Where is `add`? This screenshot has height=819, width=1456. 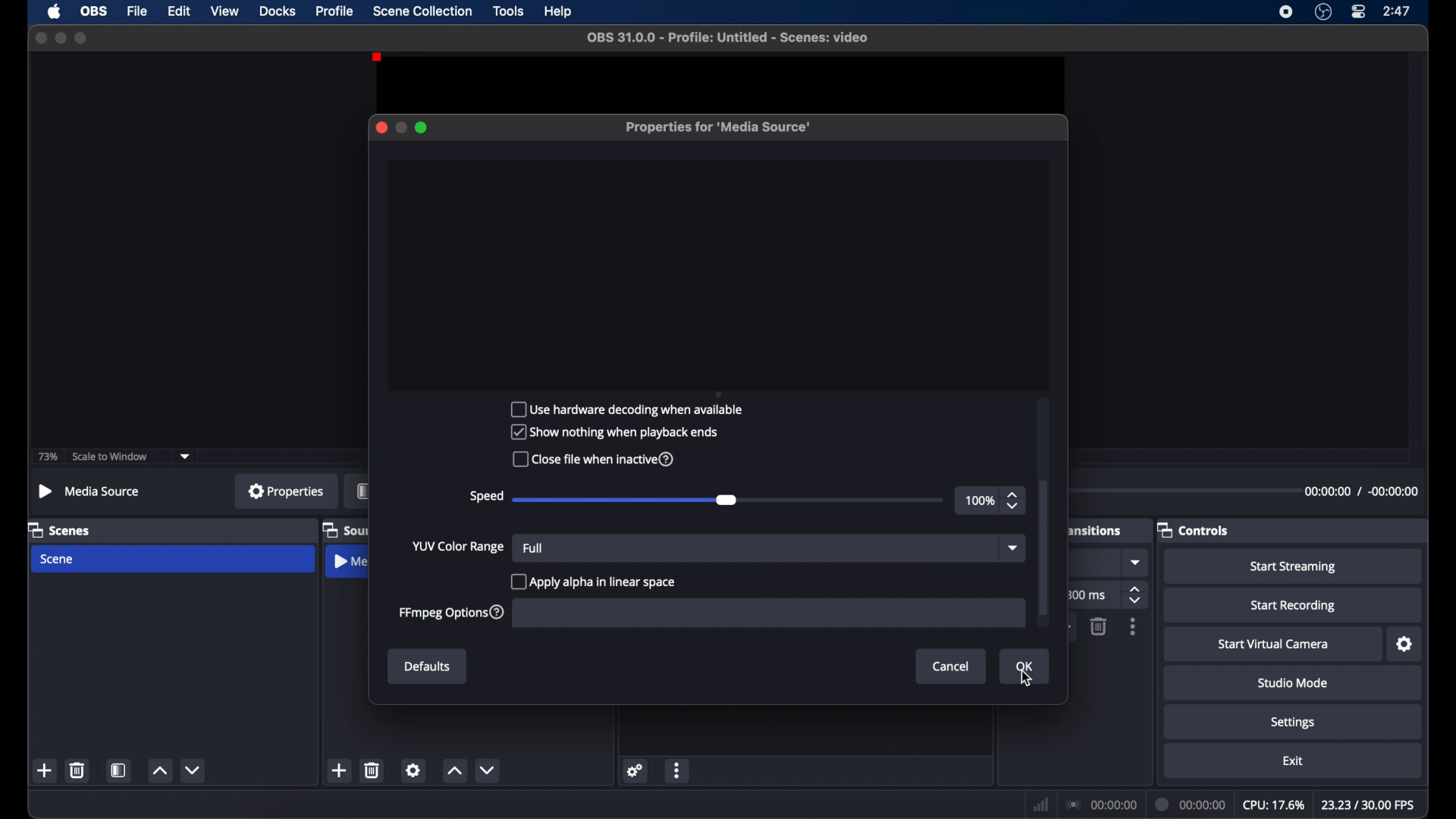 add is located at coordinates (45, 770).